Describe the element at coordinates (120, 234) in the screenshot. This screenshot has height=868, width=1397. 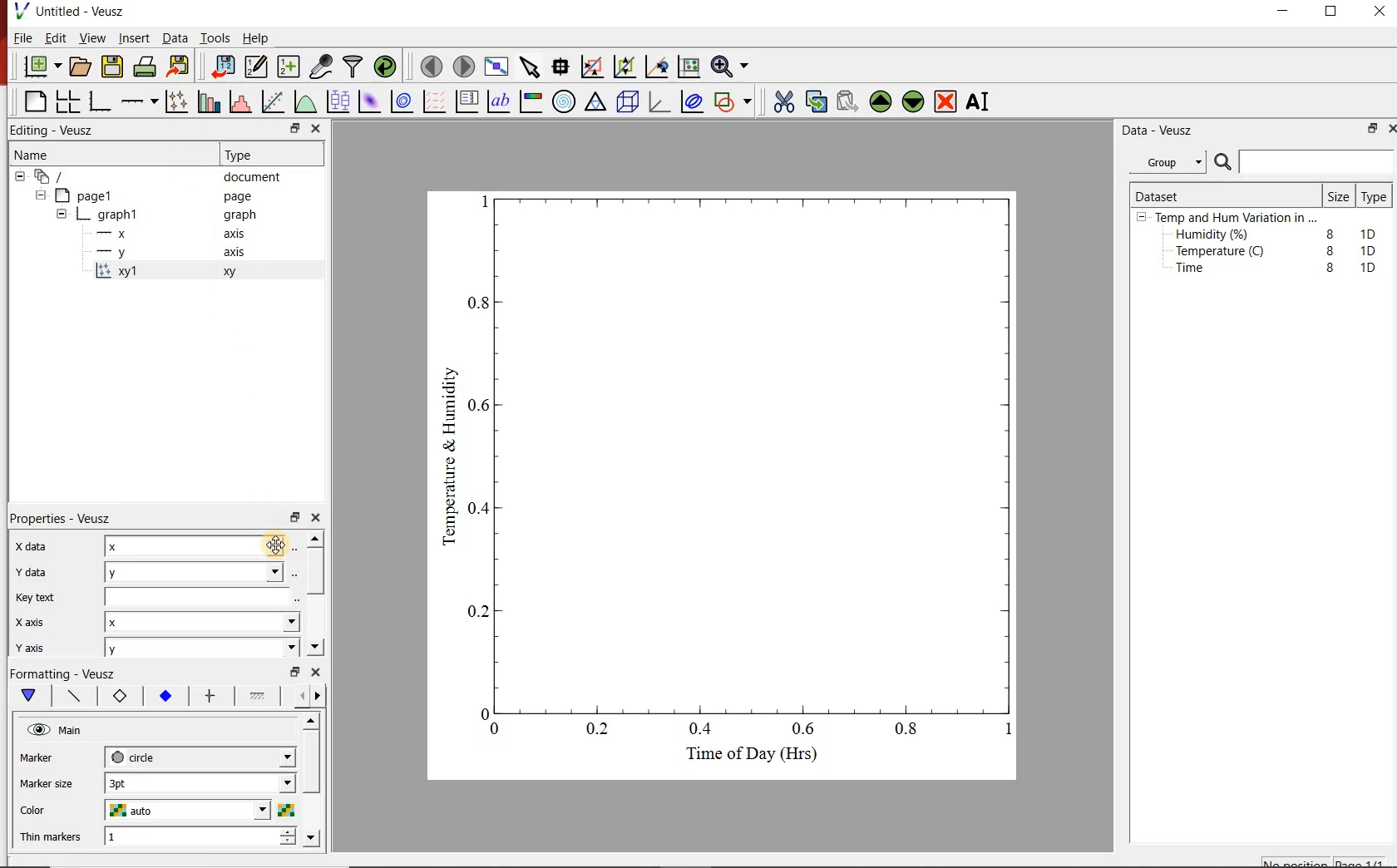
I see `x` at that location.